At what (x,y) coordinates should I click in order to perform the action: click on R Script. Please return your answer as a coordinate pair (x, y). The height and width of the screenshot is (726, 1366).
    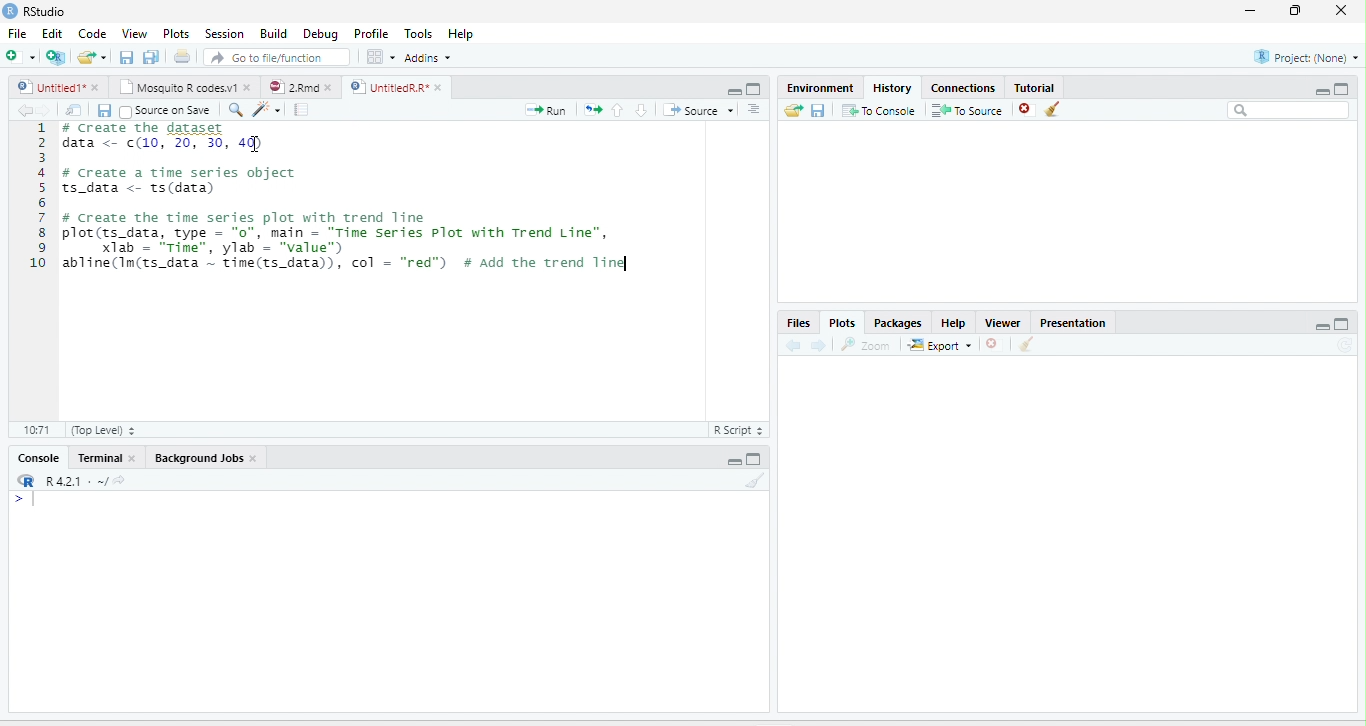
    Looking at the image, I should click on (739, 430).